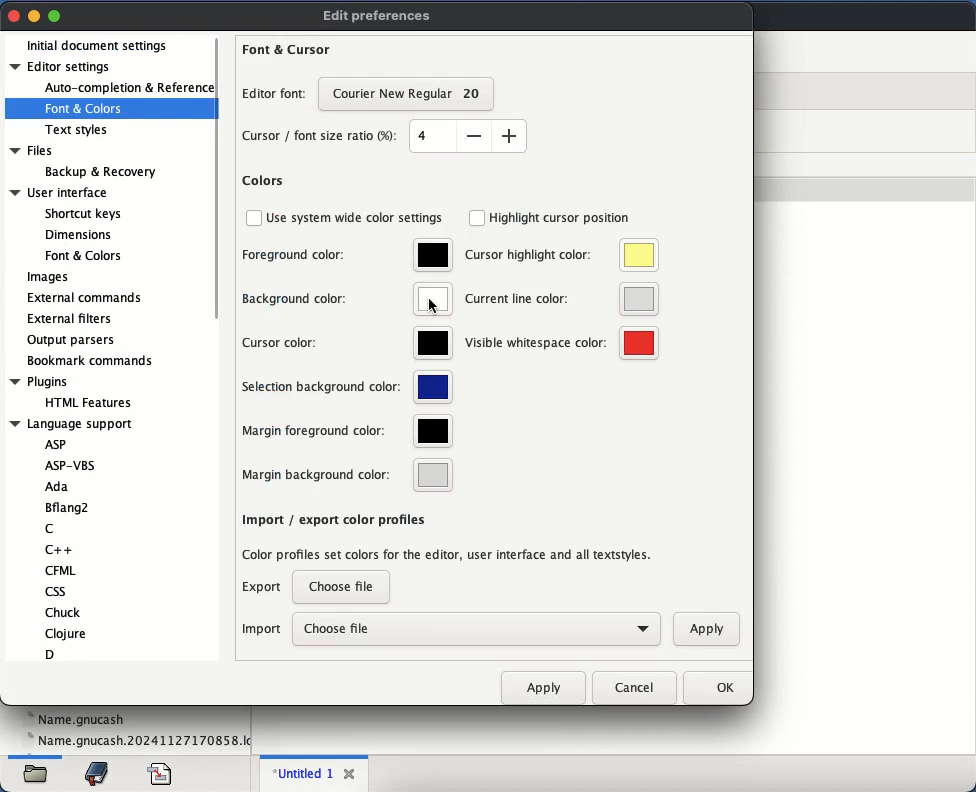  Describe the element at coordinates (99, 772) in the screenshot. I see `bookmark` at that location.